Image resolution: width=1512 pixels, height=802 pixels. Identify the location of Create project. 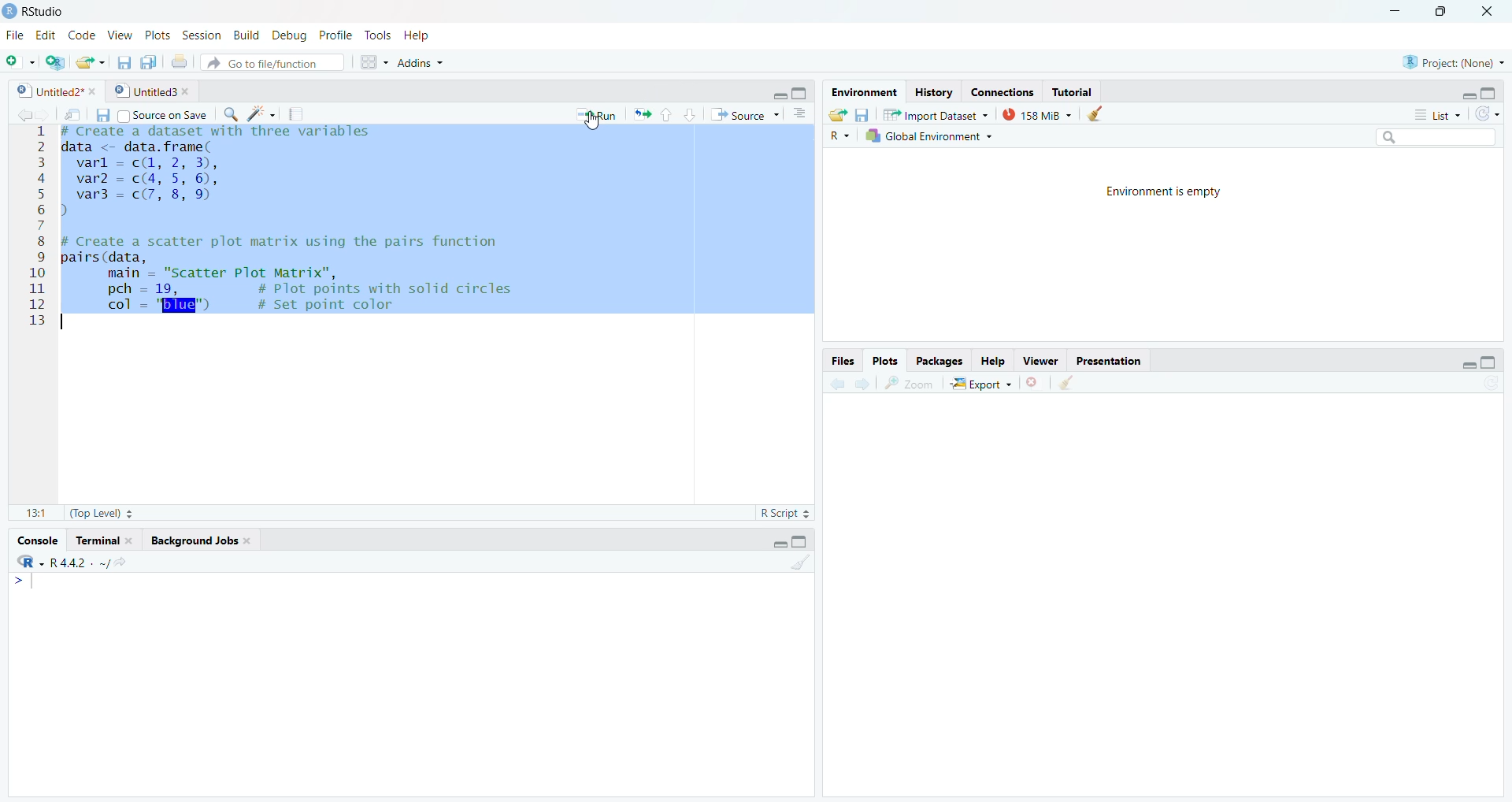
(56, 62).